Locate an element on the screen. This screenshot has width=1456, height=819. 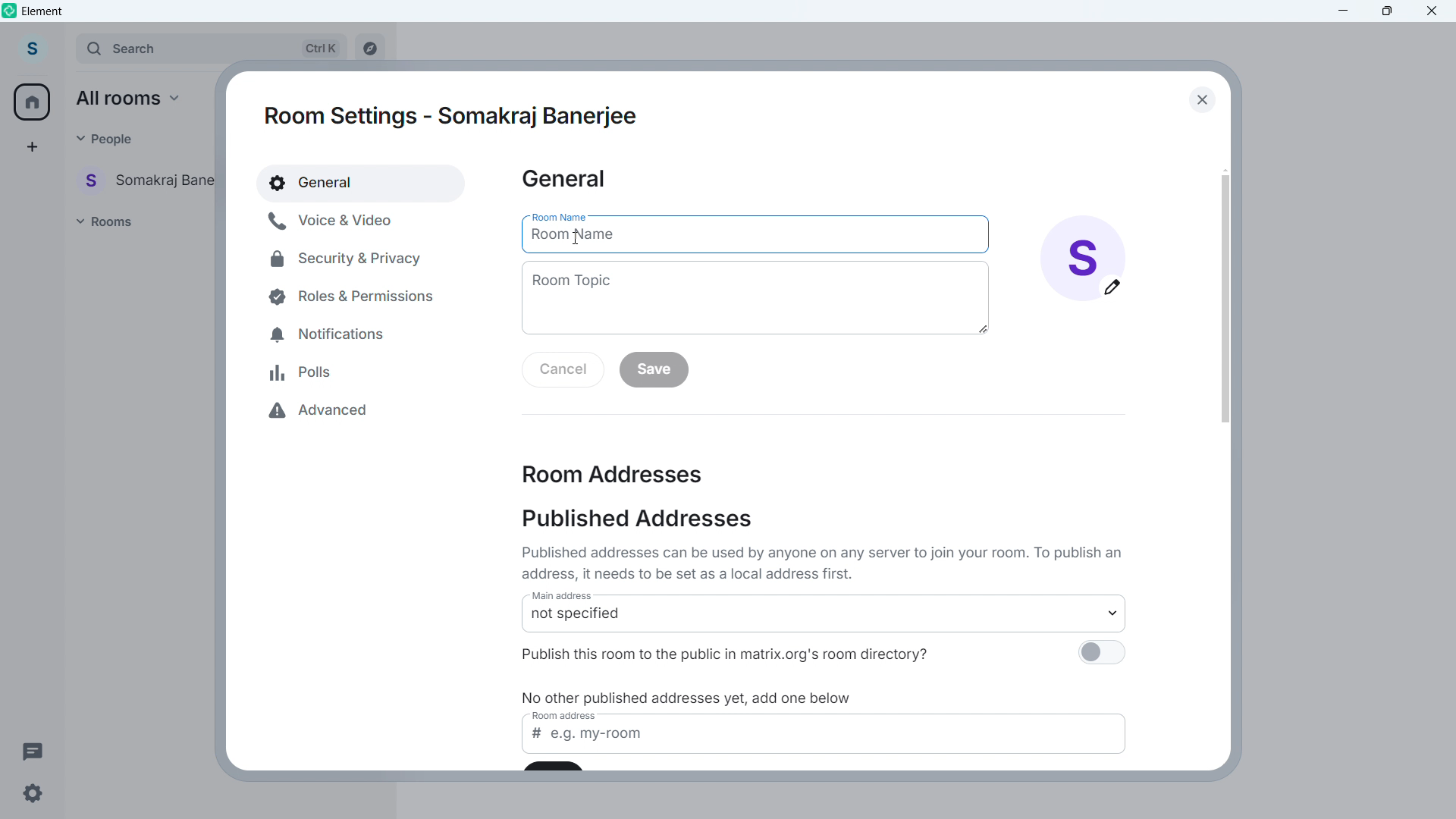
 main address  is located at coordinates (569, 598).